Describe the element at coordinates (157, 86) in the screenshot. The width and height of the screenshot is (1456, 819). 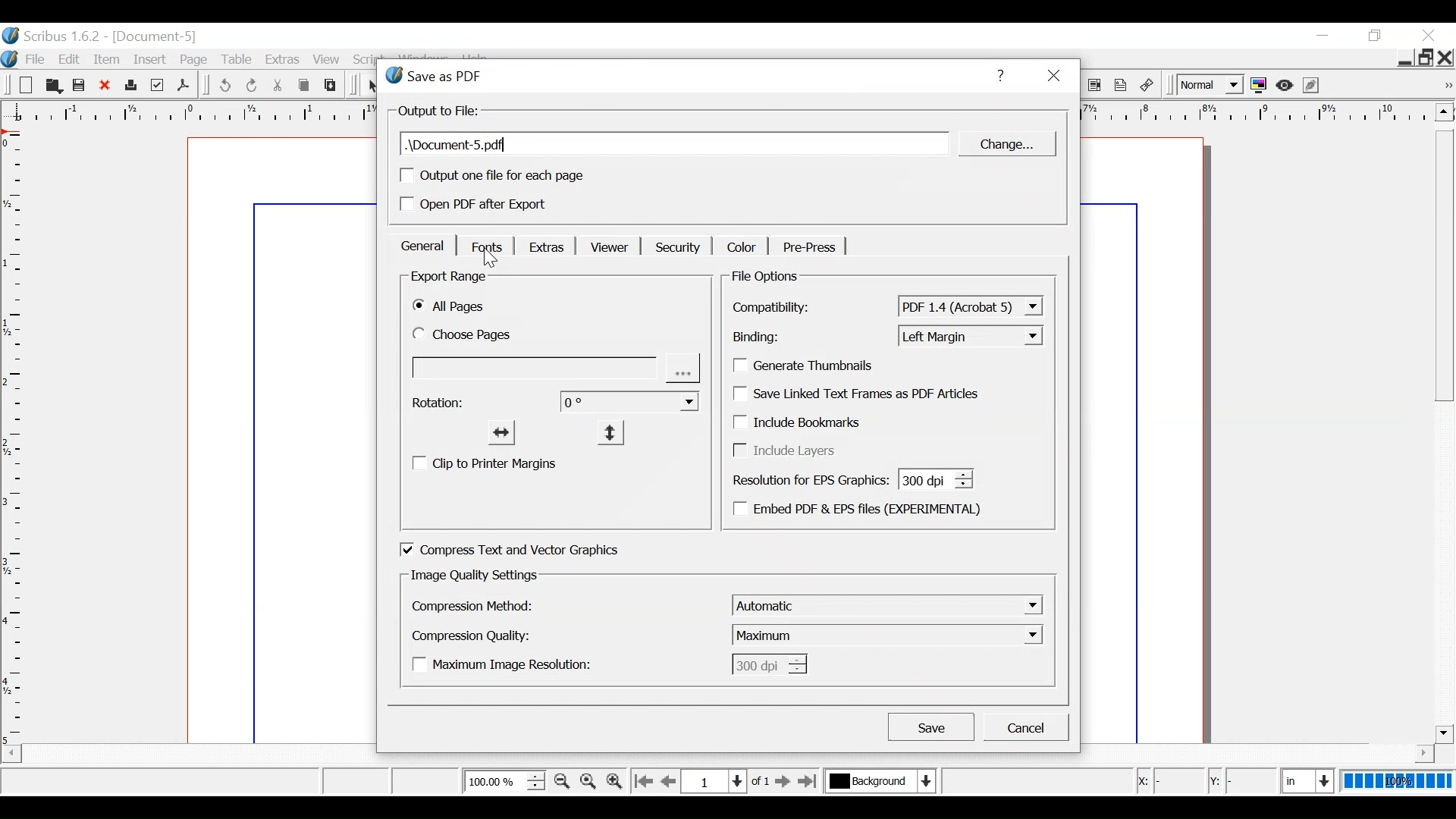
I see `Prefilight Verifier` at that location.